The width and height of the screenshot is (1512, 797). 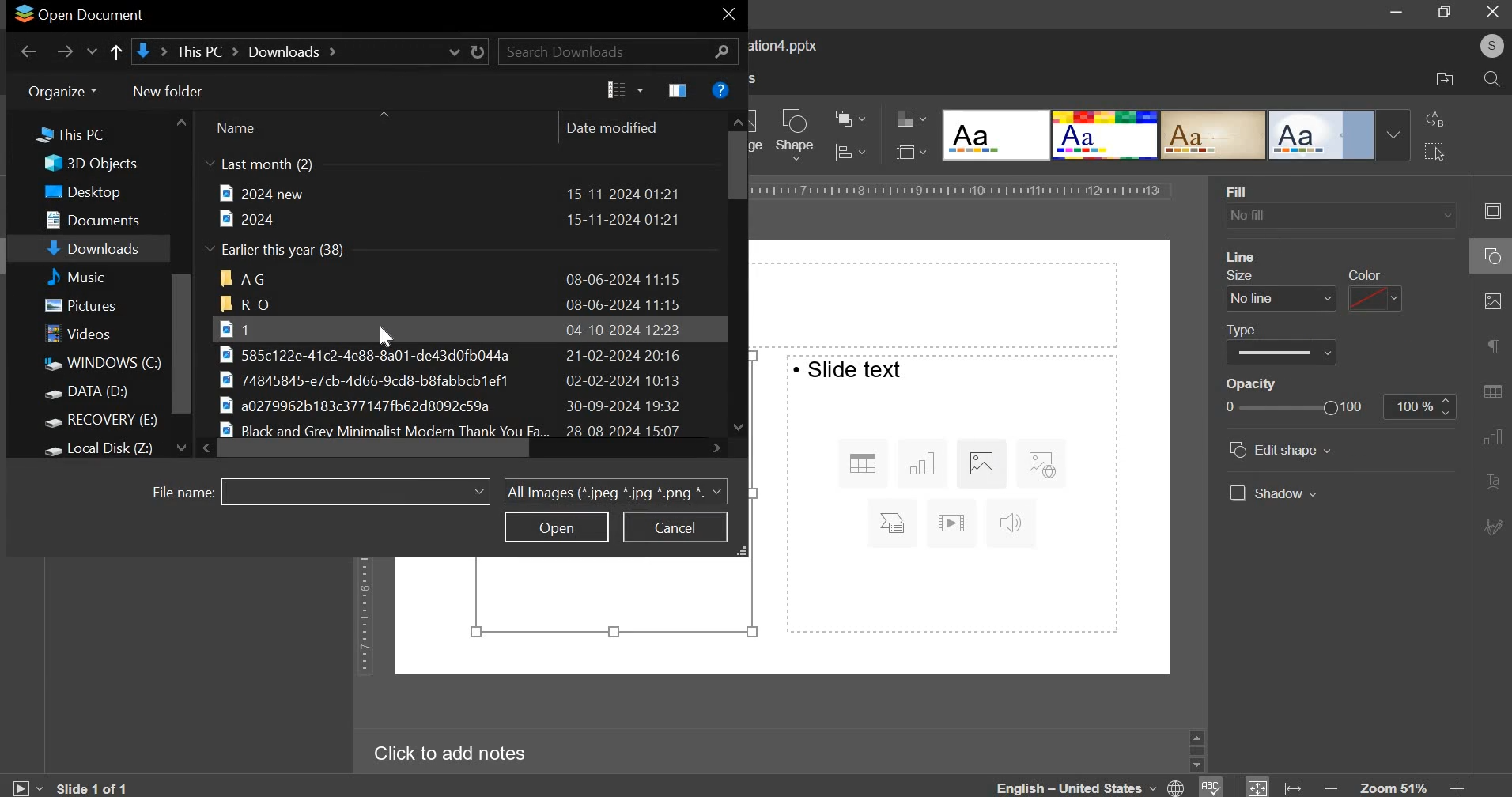 What do you see at coordinates (93, 54) in the screenshot?
I see `recent locations` at bounding box center [93, 54].